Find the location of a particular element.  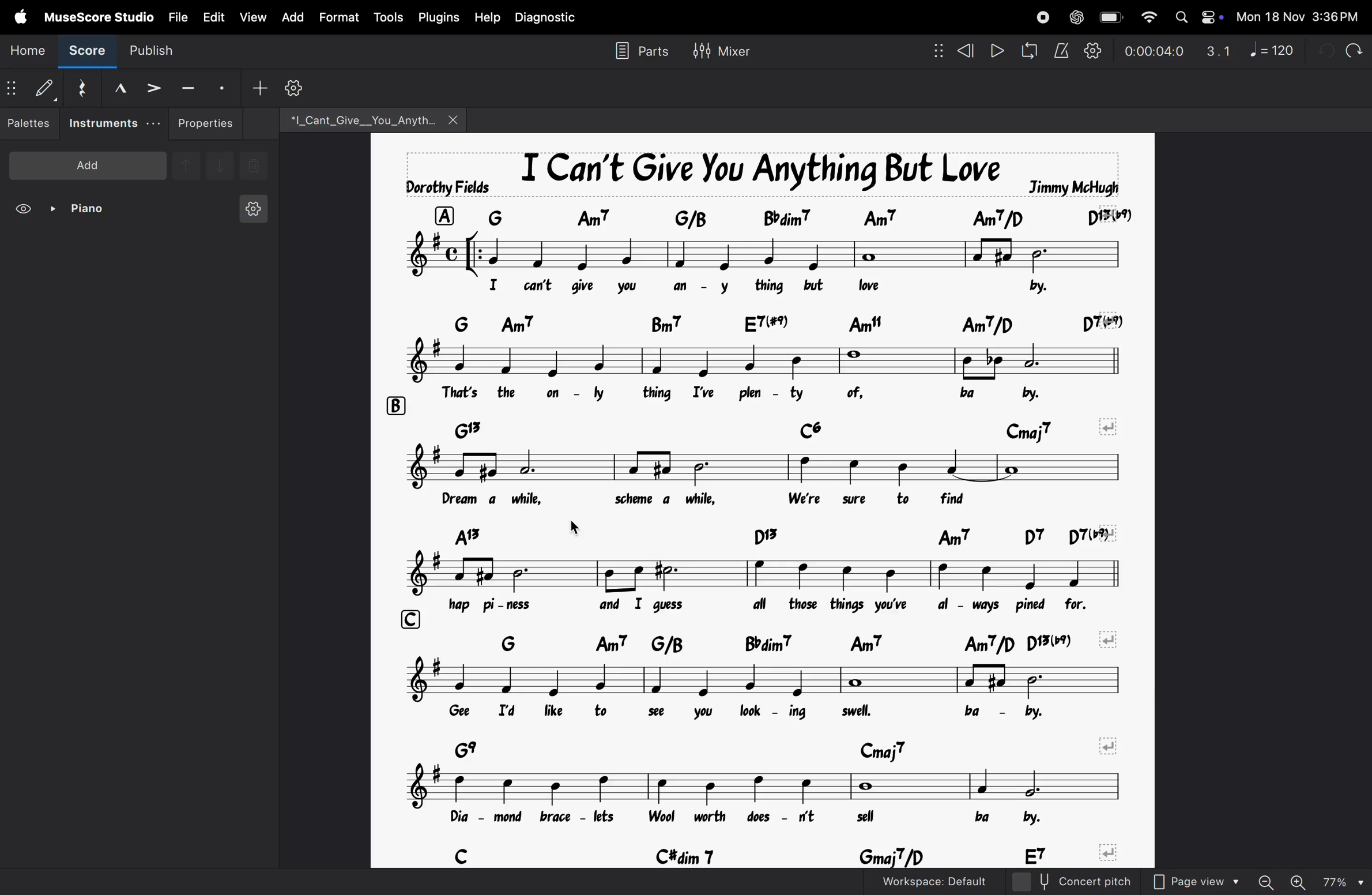

accent is located at coordinates (154, 89).